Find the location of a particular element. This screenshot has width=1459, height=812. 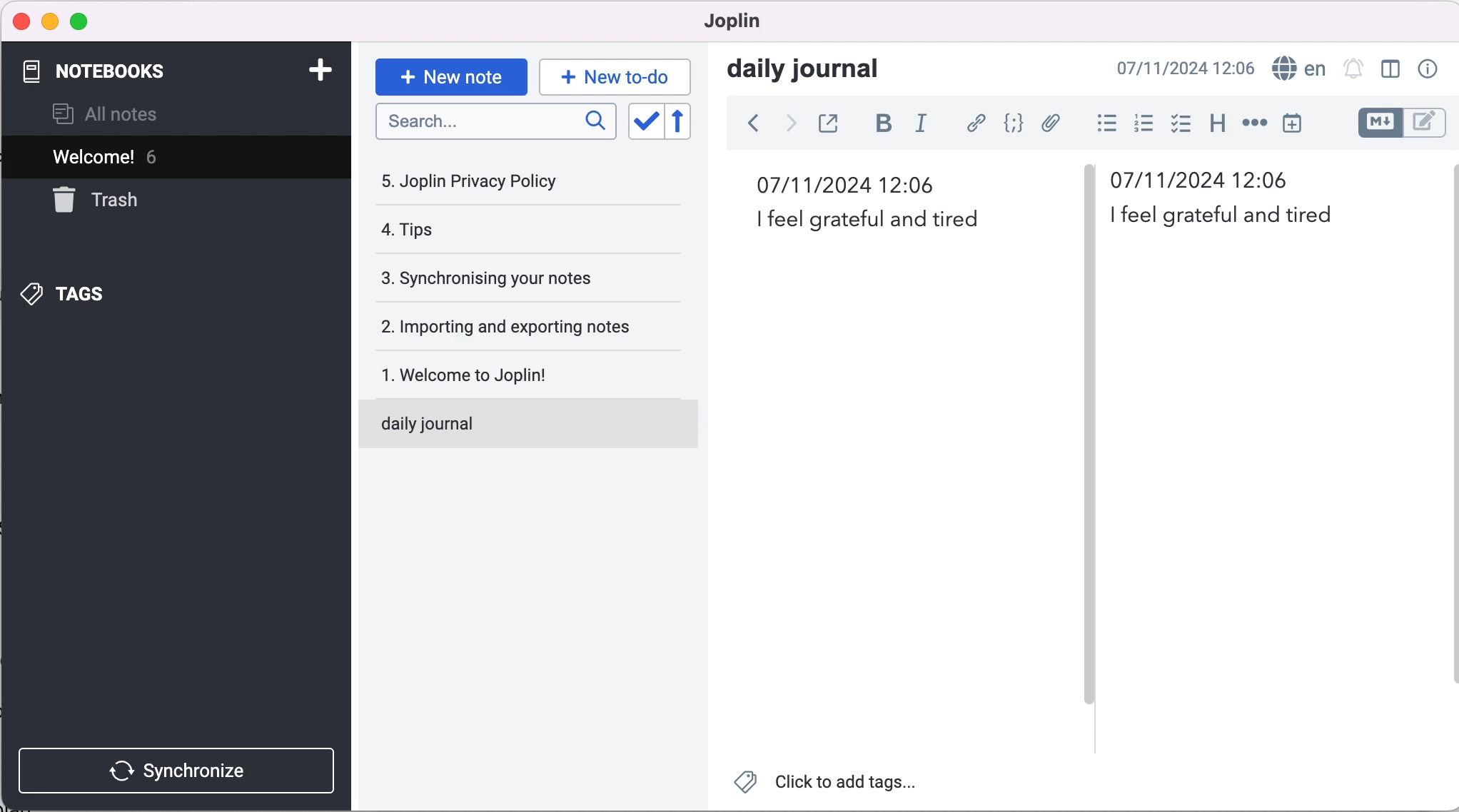

code is located at coordinates (1009, 124).